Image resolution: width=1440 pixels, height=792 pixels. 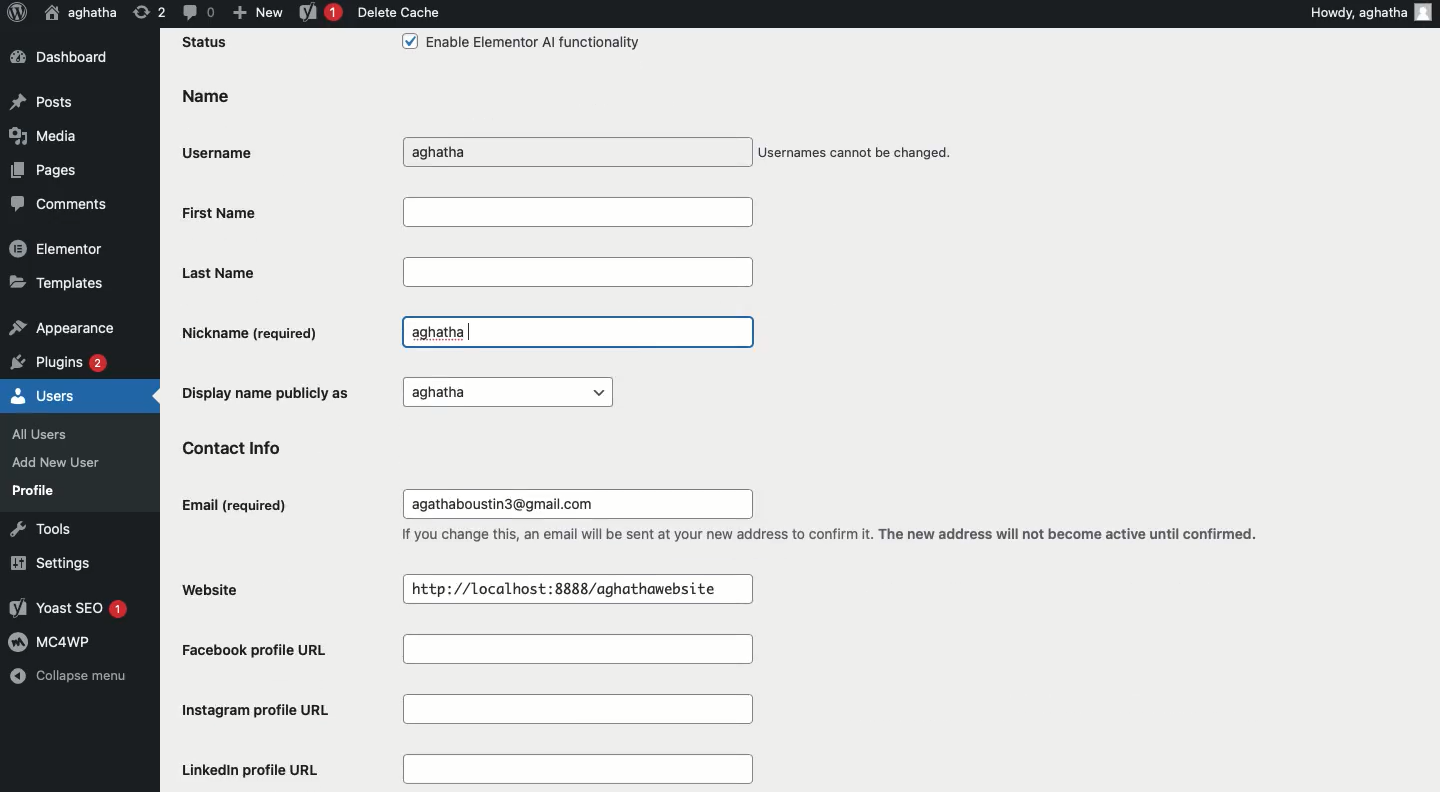 What do you see at coordinates (519, 44) in the screenshot?
I see `Enable Elementor Al functionality` at bounding box center [519, 44].